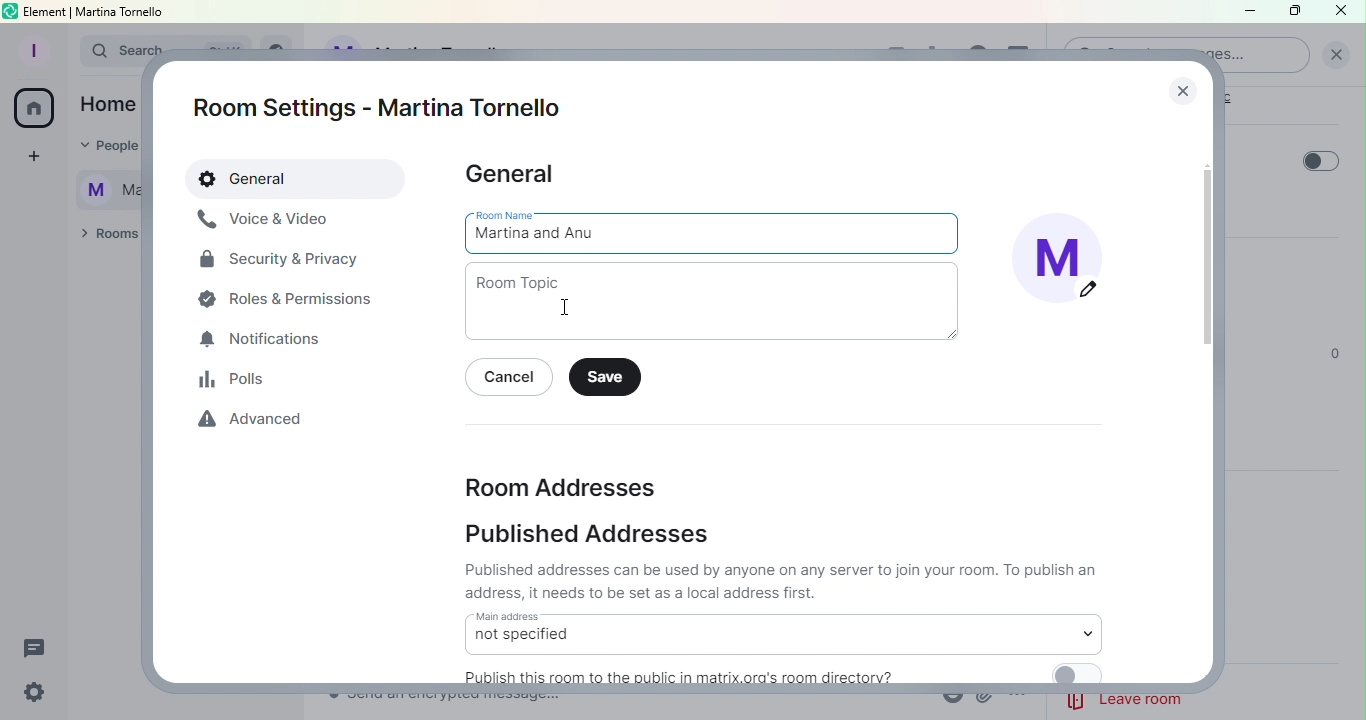 Image resolution: width=1366 pixels, height=720 pixels. Describe the element at coordinates (784, 581) in the screenshot. I see `published addresses can be used by anyone on any server to join your room. To publish an adress, it needs to be set as local address first` at that location.